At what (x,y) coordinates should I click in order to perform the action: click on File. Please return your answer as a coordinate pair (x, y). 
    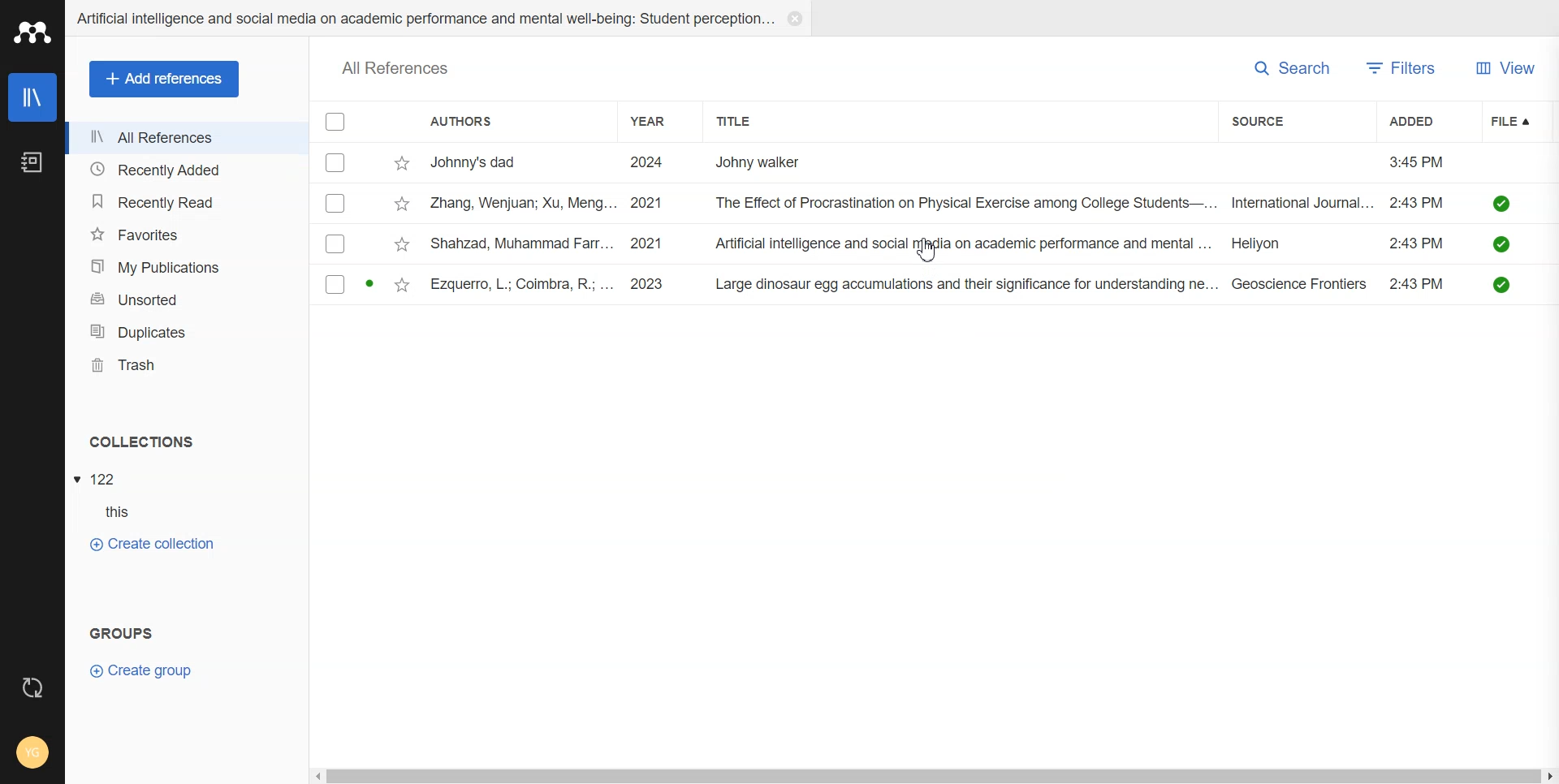
    Looking at the image, I should click on (1515, 120).